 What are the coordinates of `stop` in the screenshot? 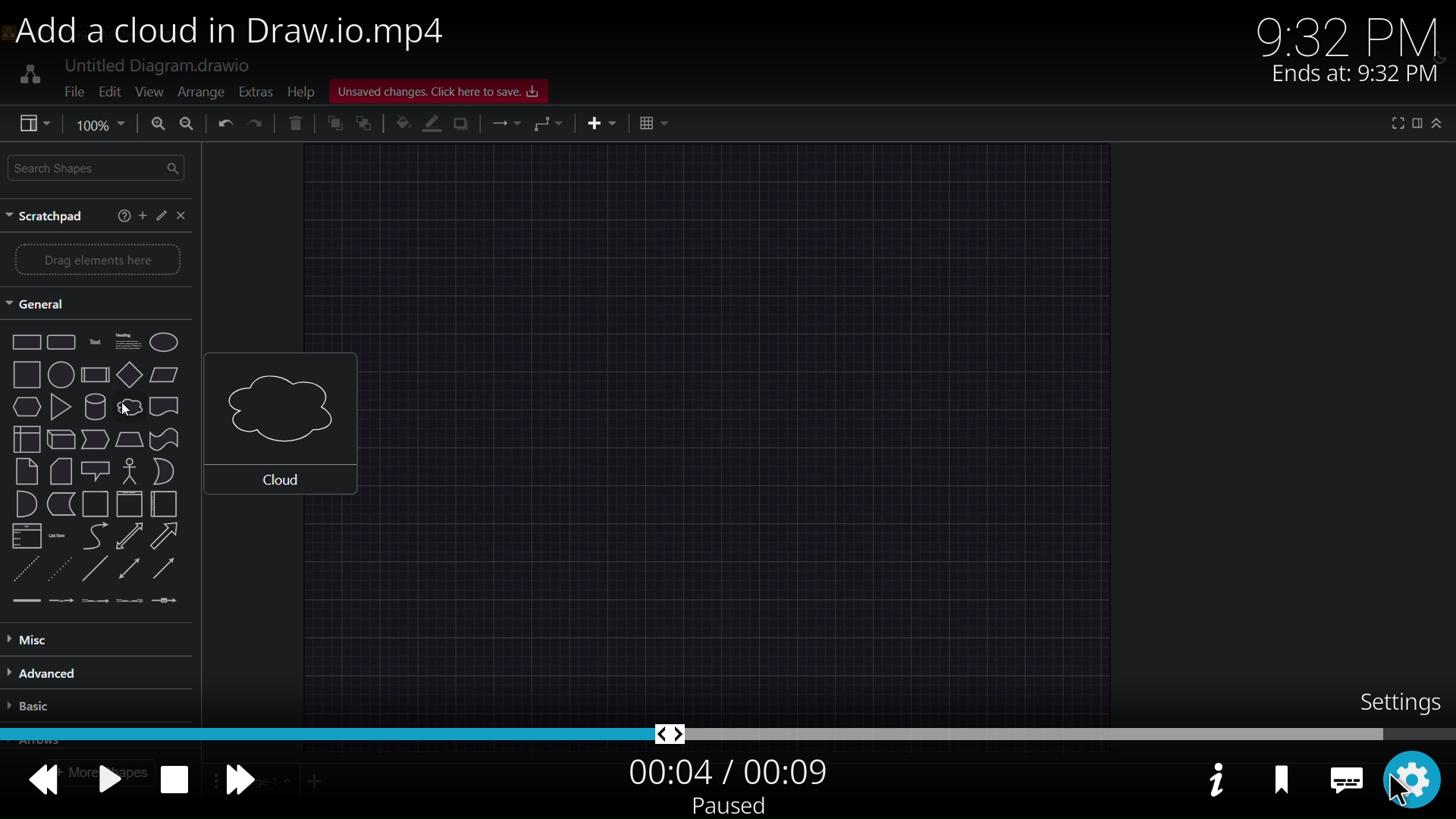 It's located at (174, 779).